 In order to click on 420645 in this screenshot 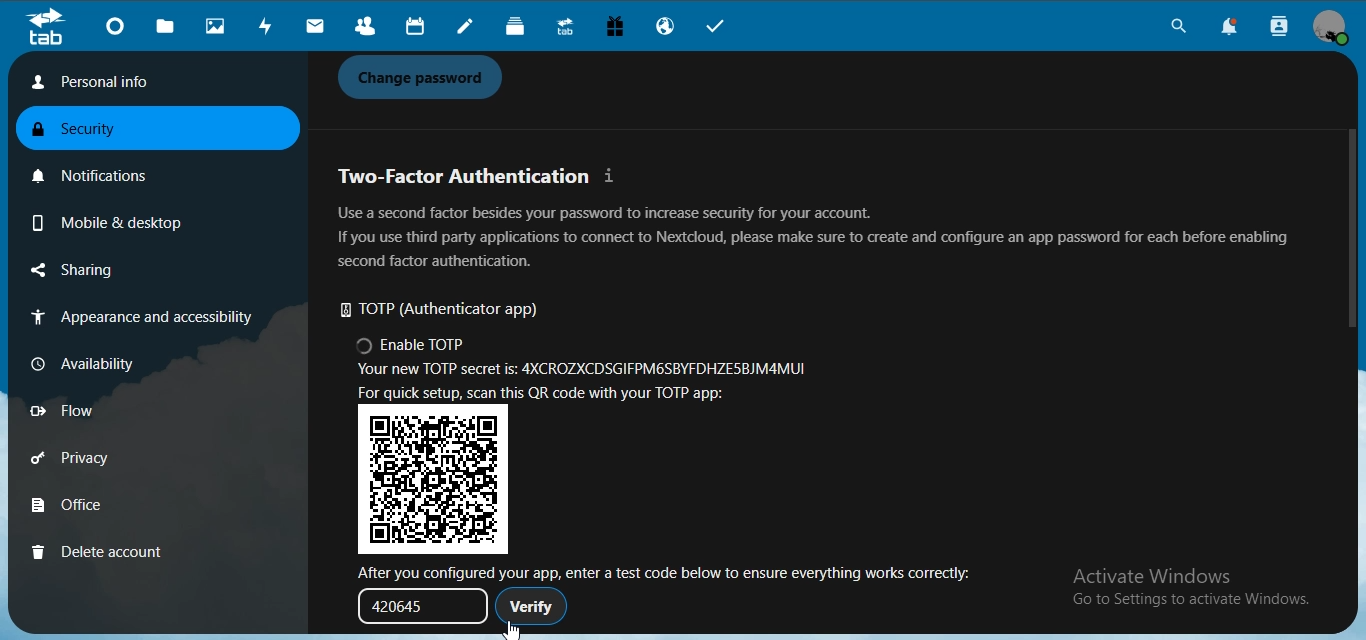, I will do `click(415, 605)`.